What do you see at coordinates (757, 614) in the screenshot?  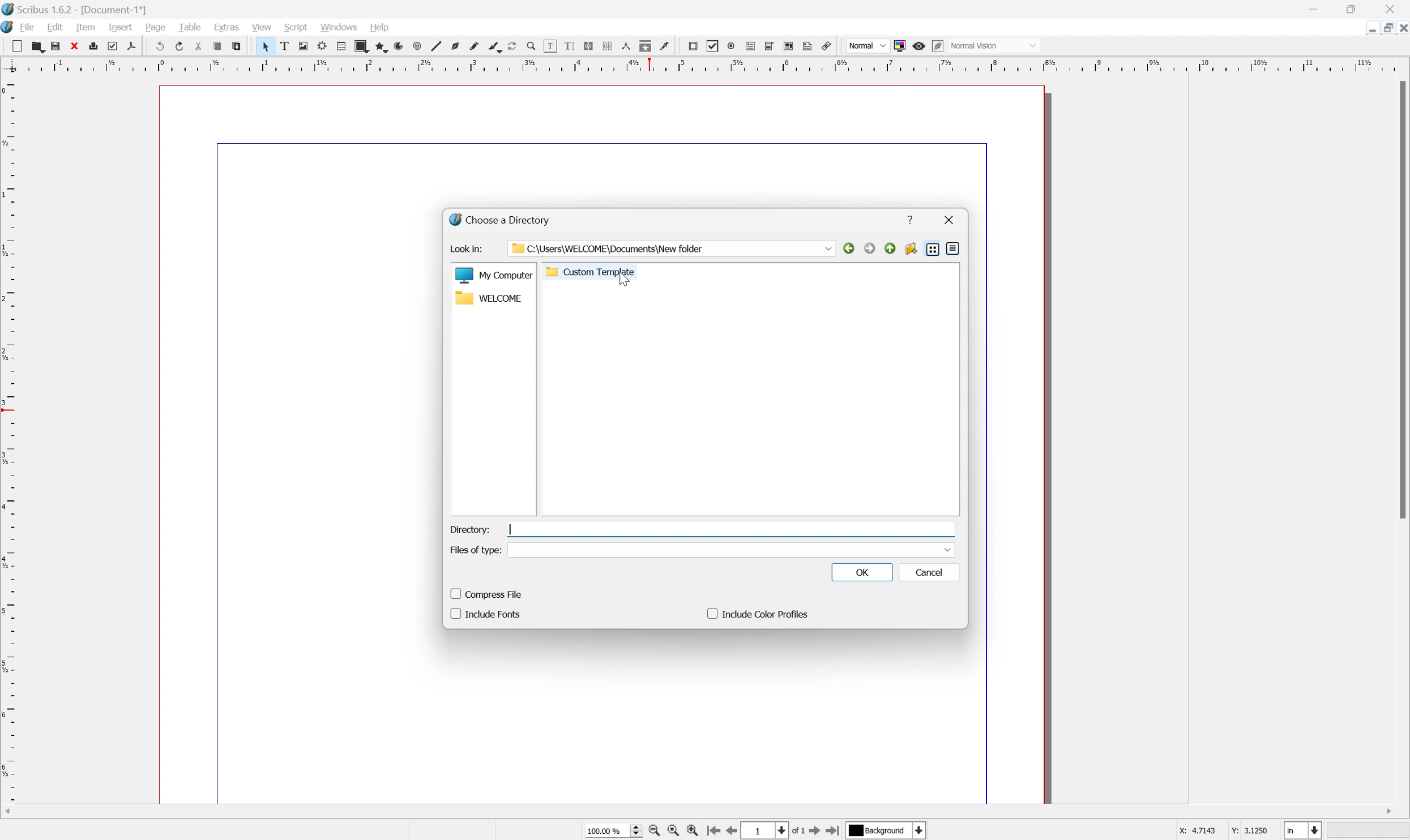 I see `include color profiles` at bounding box center [757, 614].